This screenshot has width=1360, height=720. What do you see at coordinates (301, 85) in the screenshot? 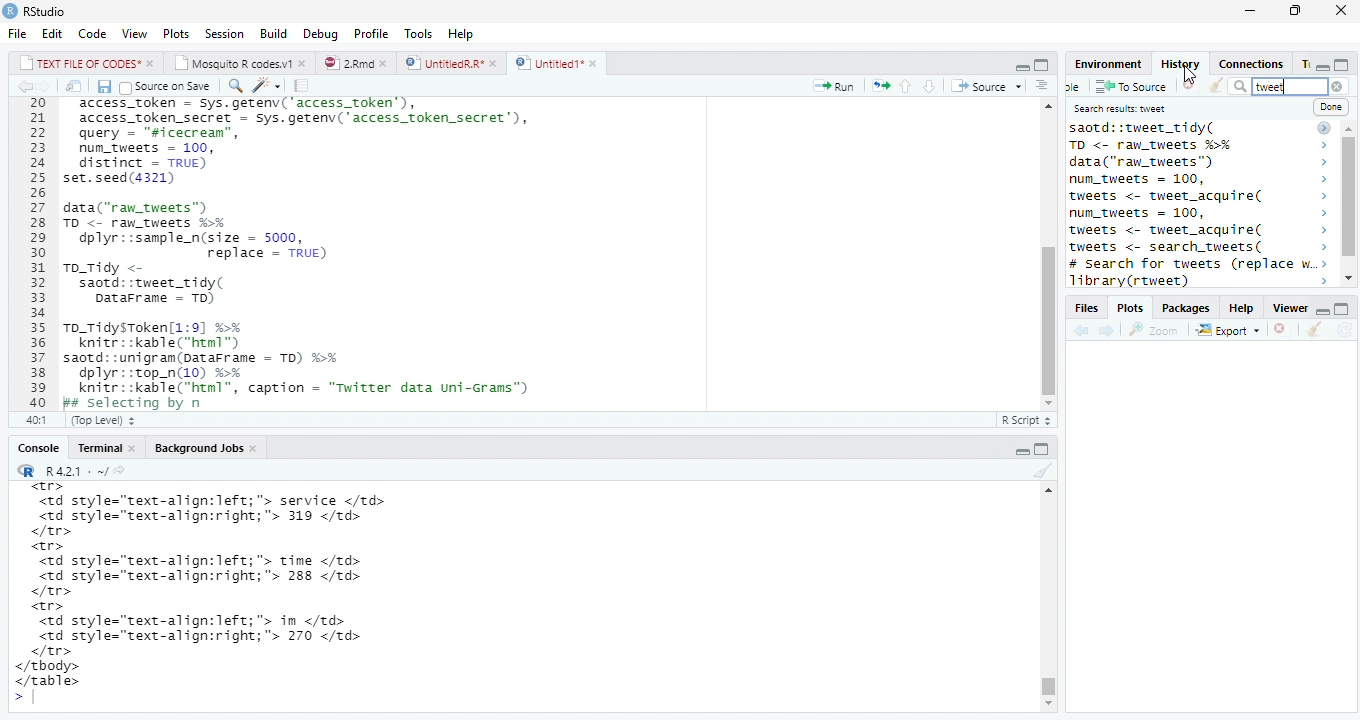
I see `compile report` at bounding box center [301, 85].